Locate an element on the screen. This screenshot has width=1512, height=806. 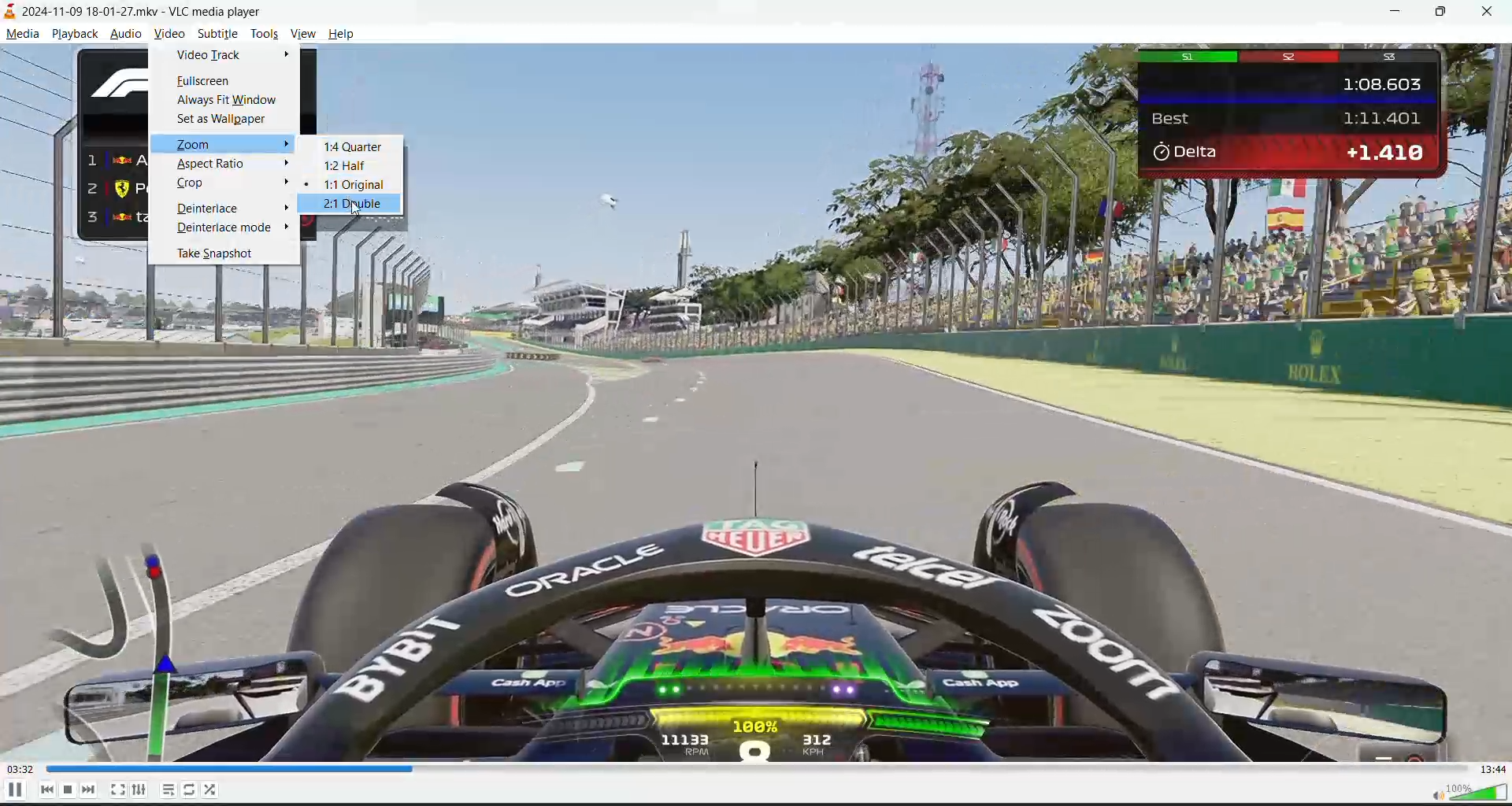
toggle fullscreen is located at coordinates (117, 789).